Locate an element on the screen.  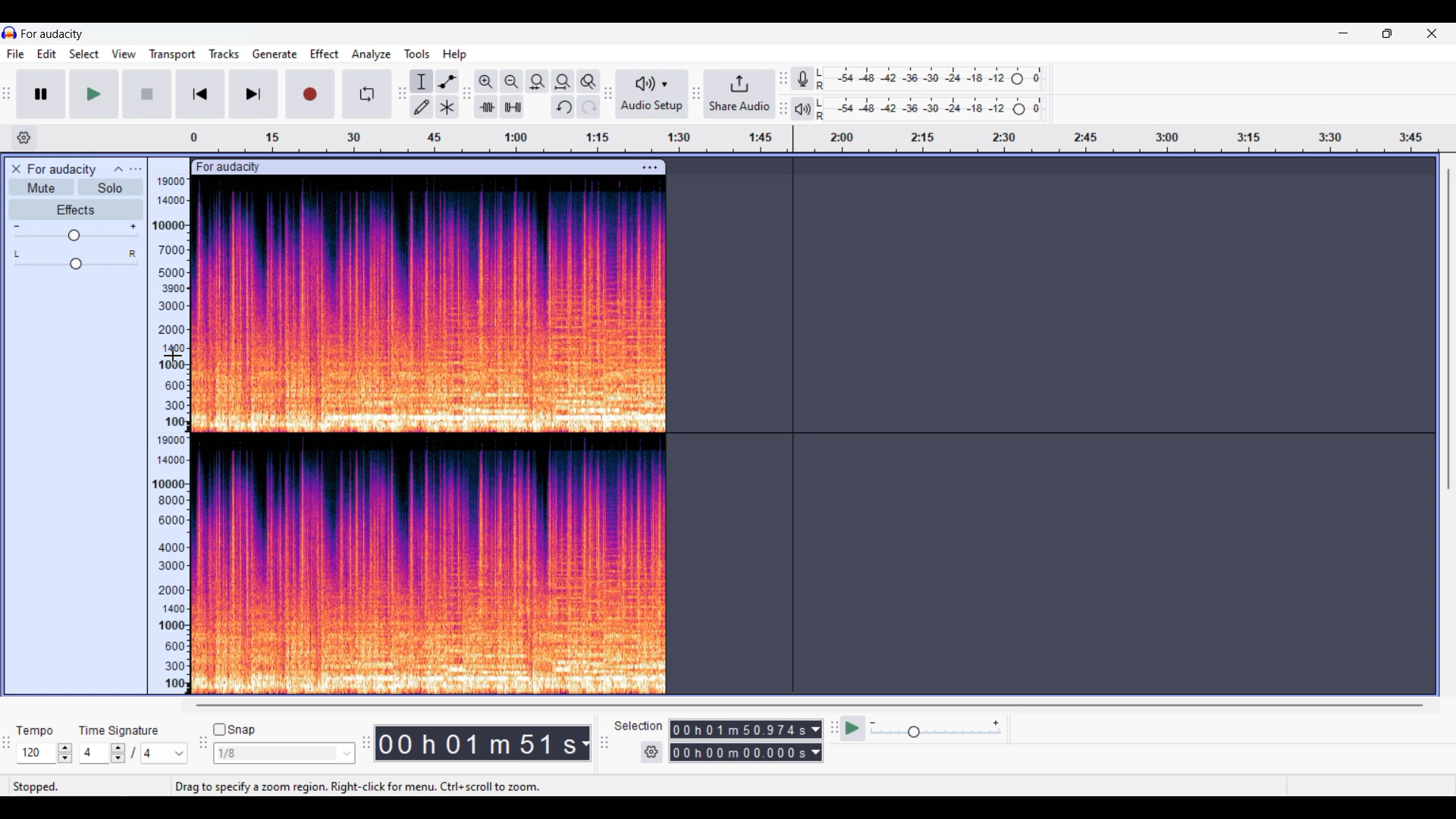
Skip/Select to end is located at coordinates (255, 94).